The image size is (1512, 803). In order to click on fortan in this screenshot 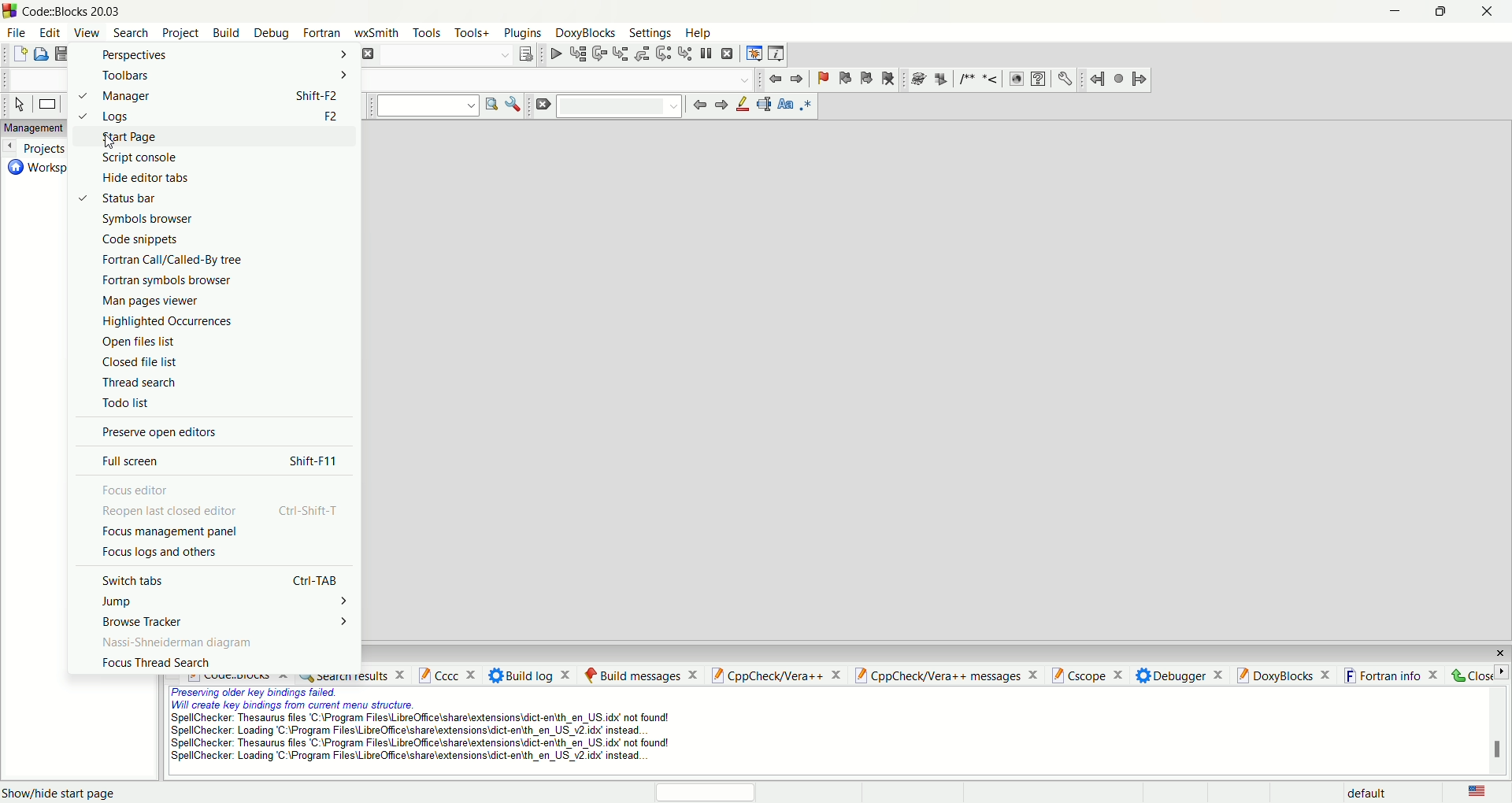, I will do `click(322, 33)`.